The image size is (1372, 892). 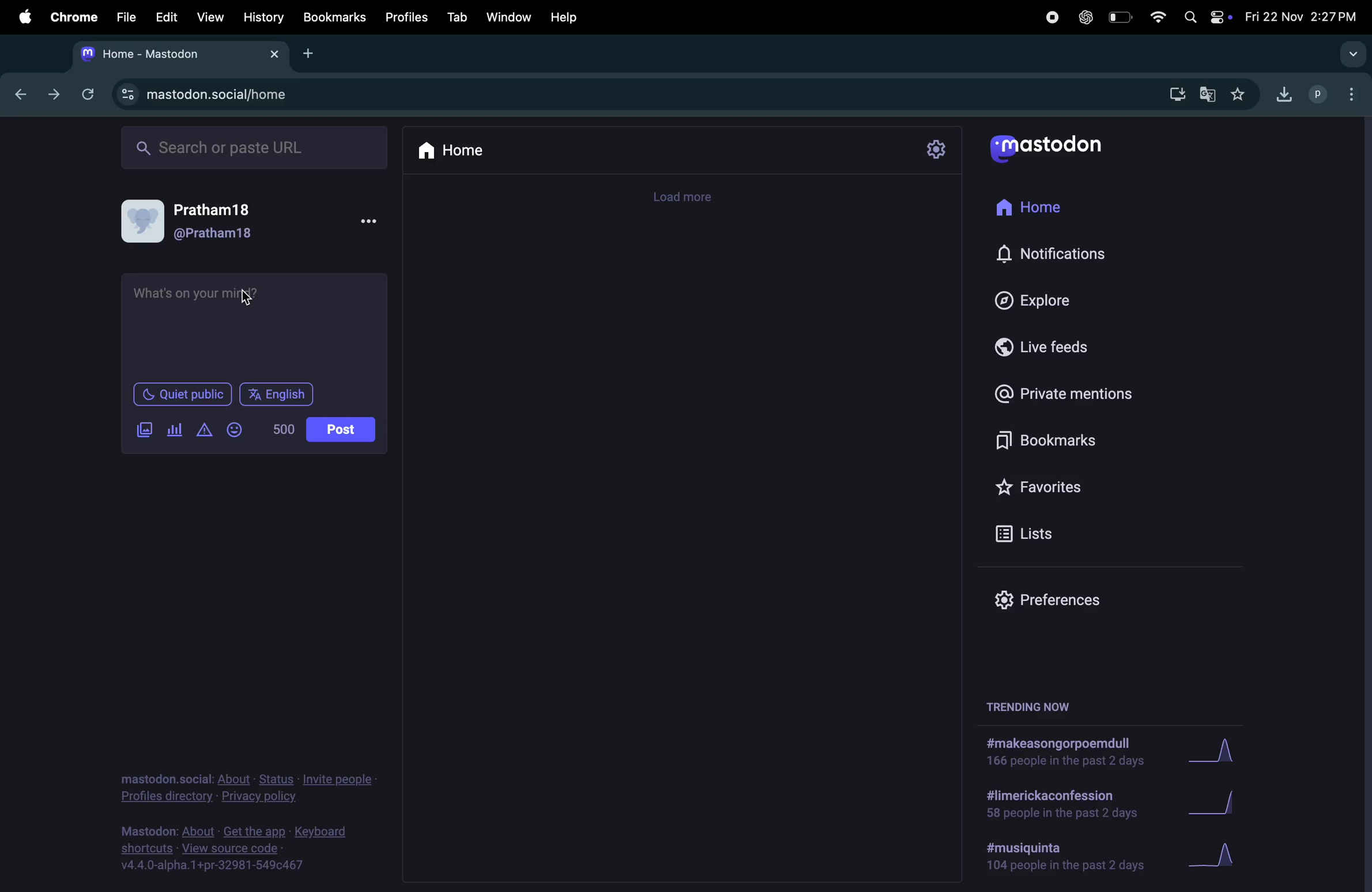 What do you see at coordinates (1088, 17) in the screenshot?
I see `chatgpt` at bounding box center [1088, 17].